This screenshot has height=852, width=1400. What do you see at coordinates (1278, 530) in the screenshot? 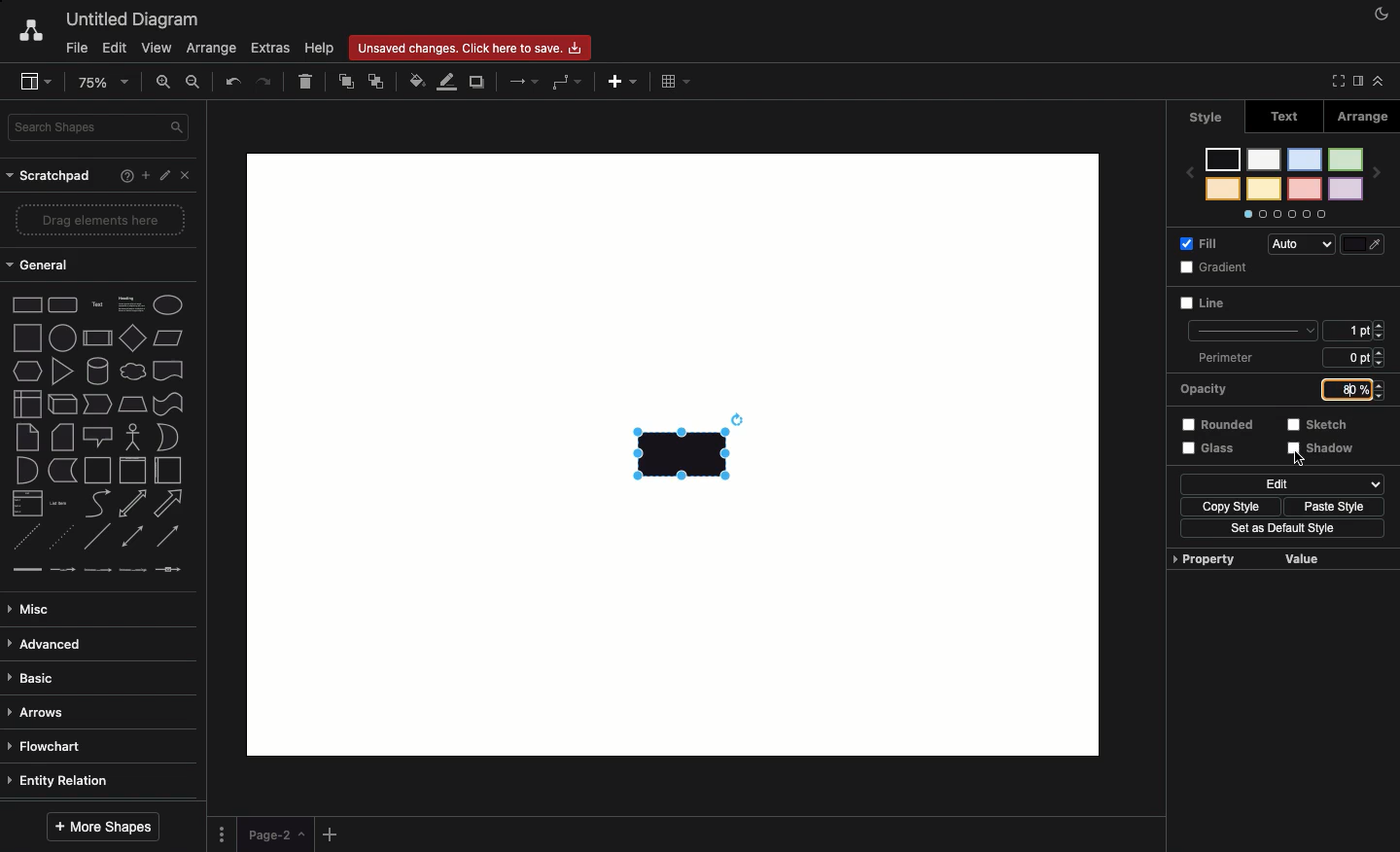
I see `Set as default style` at bounding box center [1278, 530].